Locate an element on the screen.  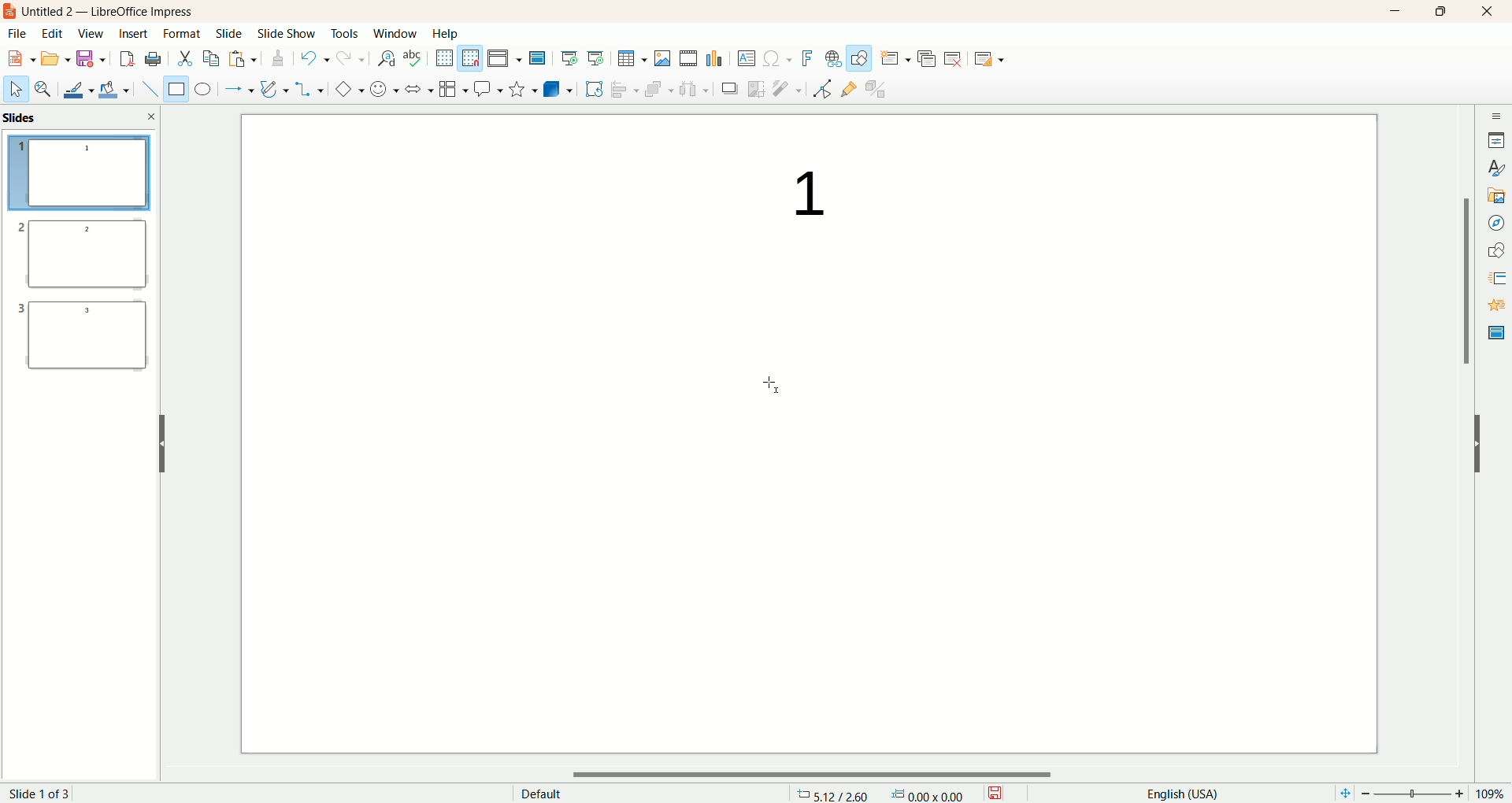
rectangle is located at coordinates (172, 89).